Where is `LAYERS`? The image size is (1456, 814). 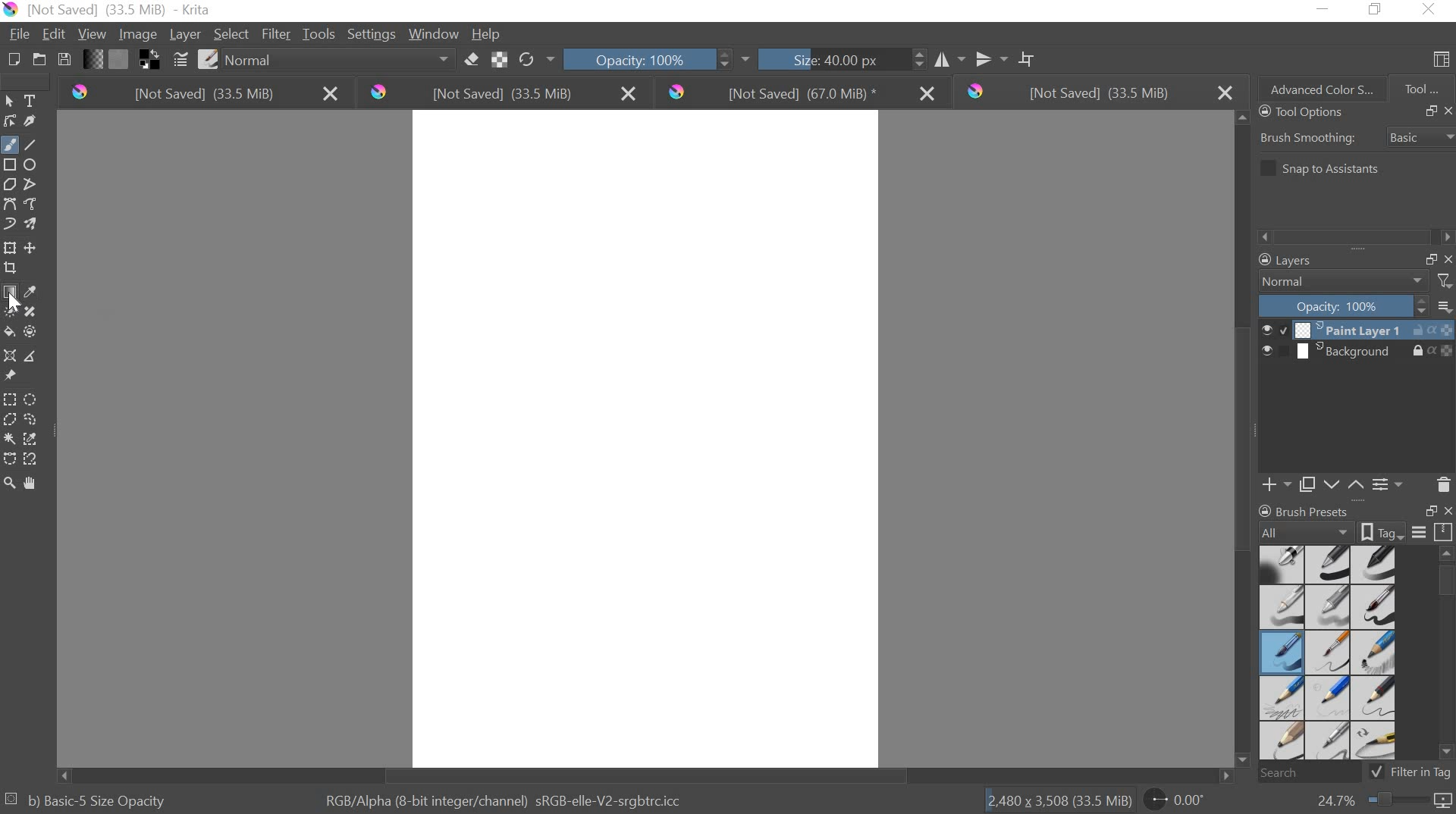 LAYERS is located at coordinates (1282, 260).